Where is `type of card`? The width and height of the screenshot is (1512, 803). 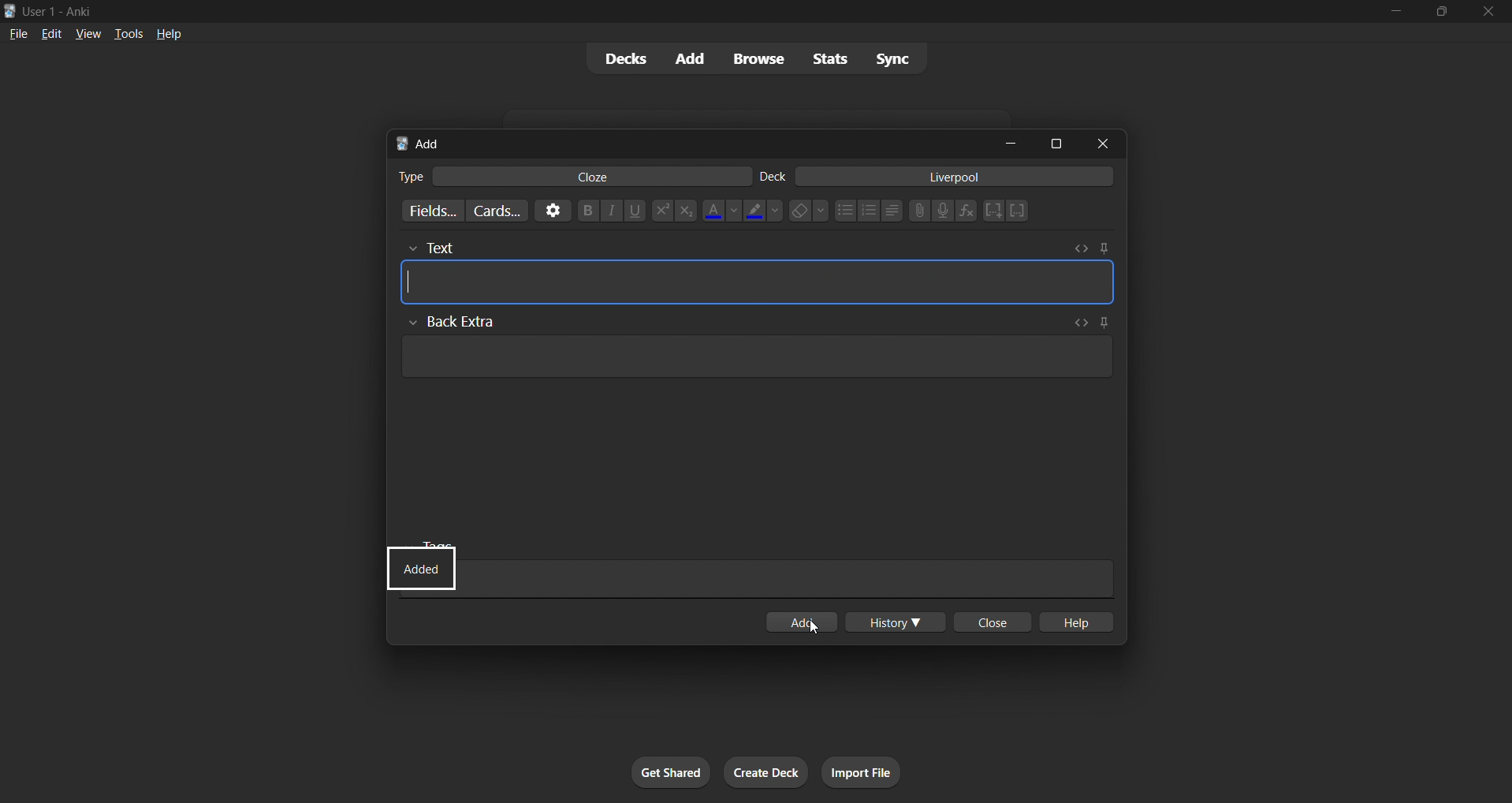 type of card is located at coordinates (406, 177).